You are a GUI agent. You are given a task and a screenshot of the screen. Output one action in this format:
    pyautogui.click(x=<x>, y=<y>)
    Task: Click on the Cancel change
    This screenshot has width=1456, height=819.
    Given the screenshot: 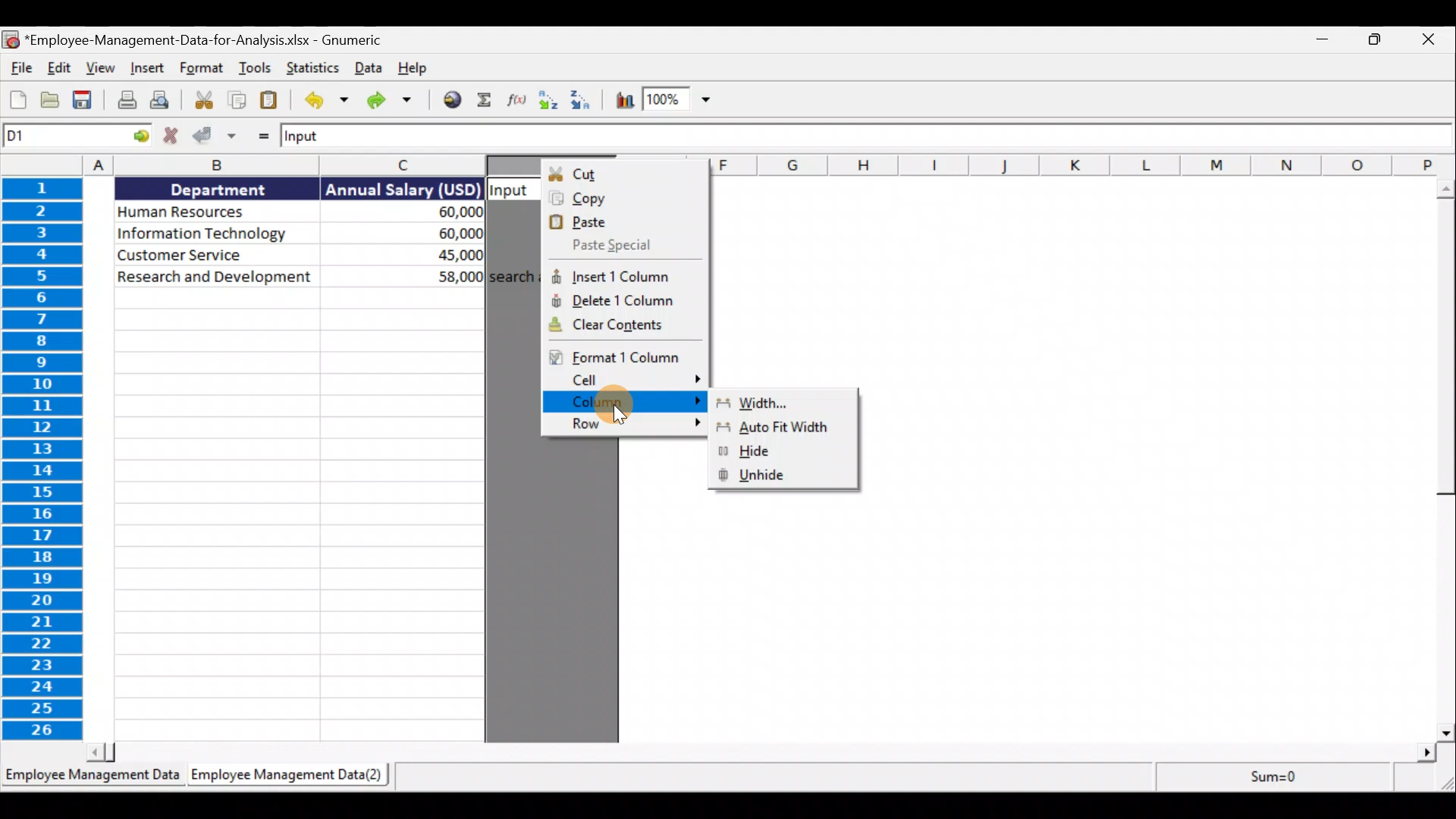 What is the action you would take?
    pyautogui.click(x=174, y=134)
    